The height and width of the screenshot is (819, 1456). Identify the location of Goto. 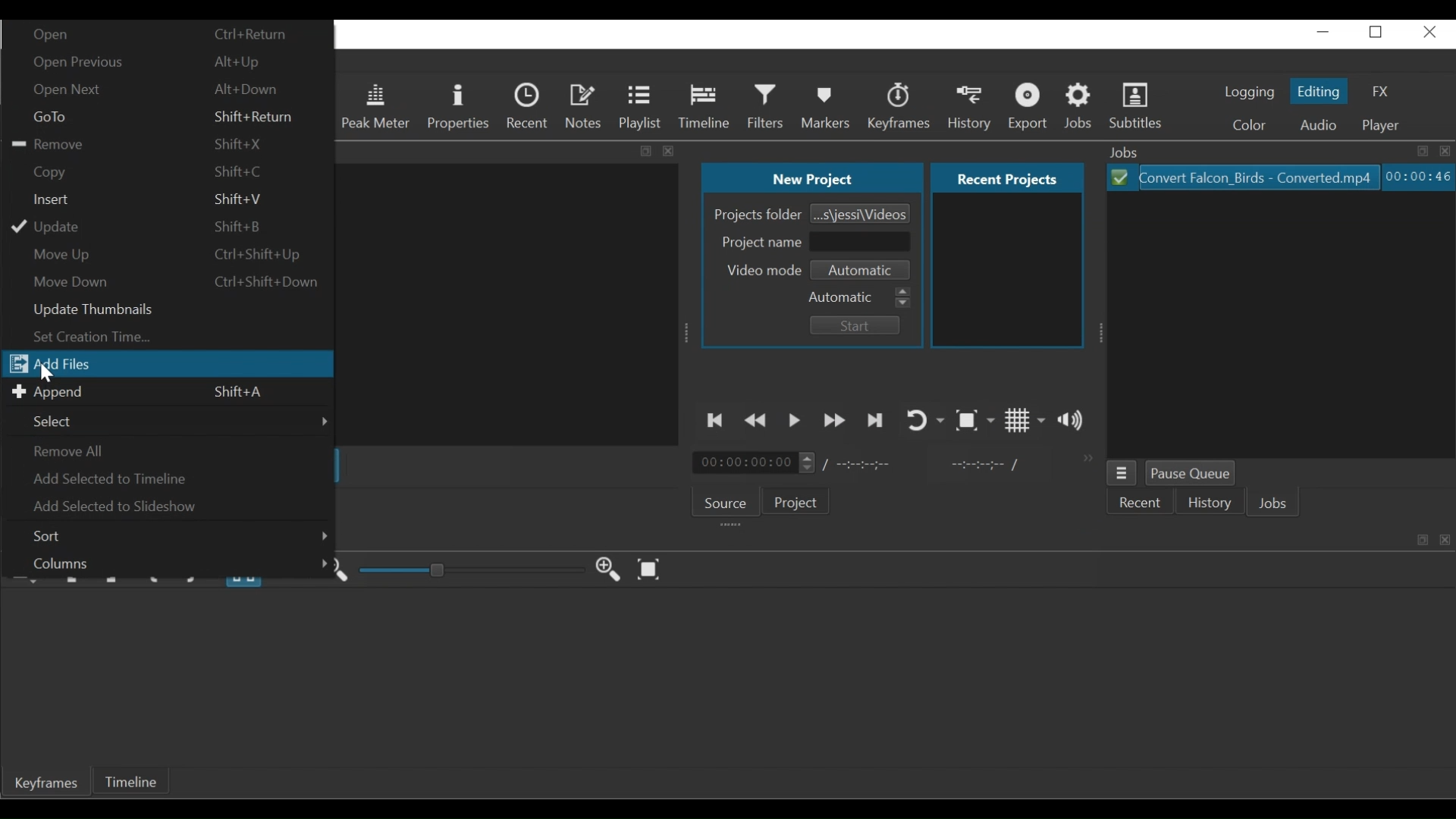
(170, 117).